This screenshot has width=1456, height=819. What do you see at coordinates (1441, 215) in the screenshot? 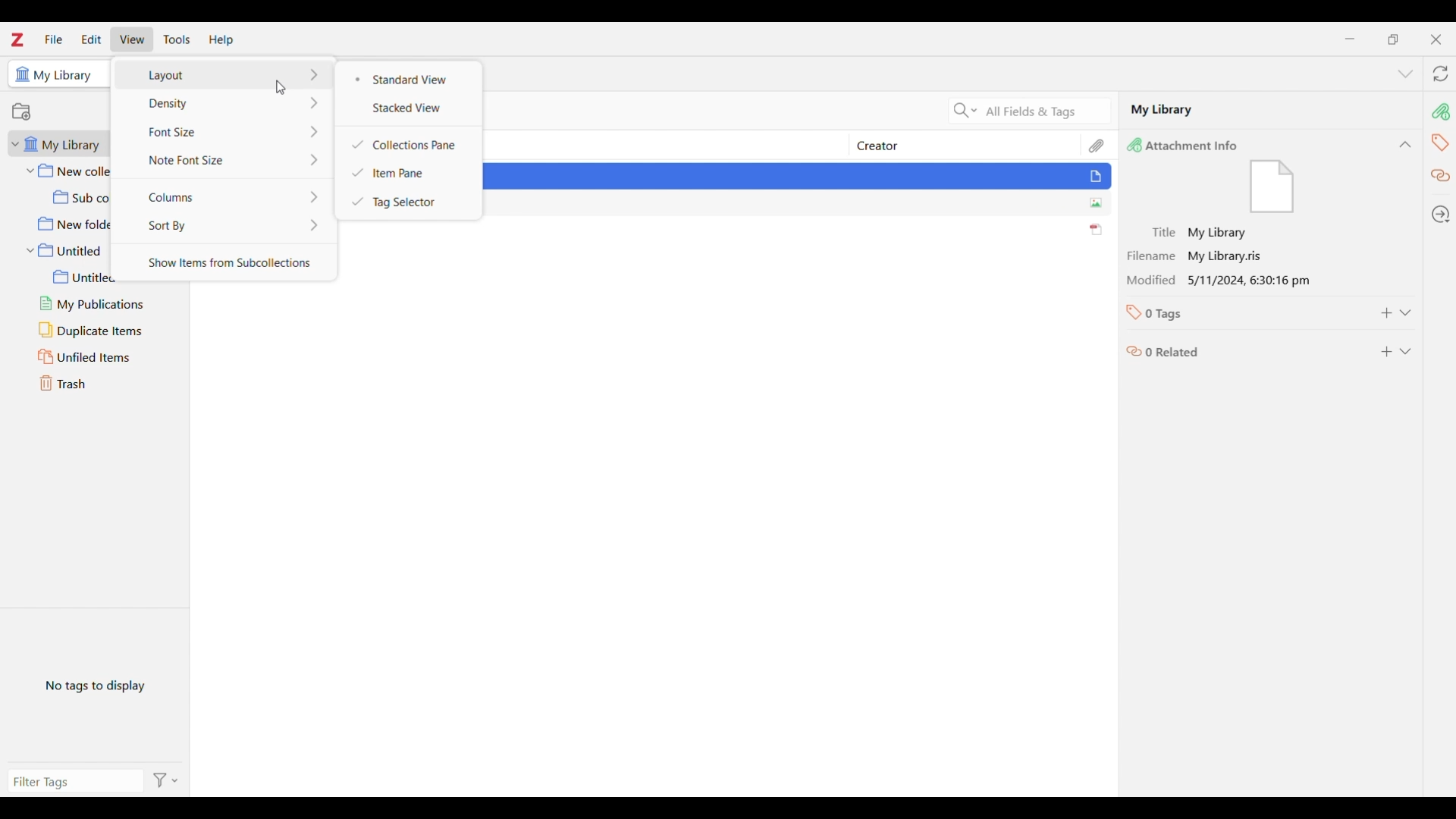
I see `Locate` at bounding box center [1441, 215].